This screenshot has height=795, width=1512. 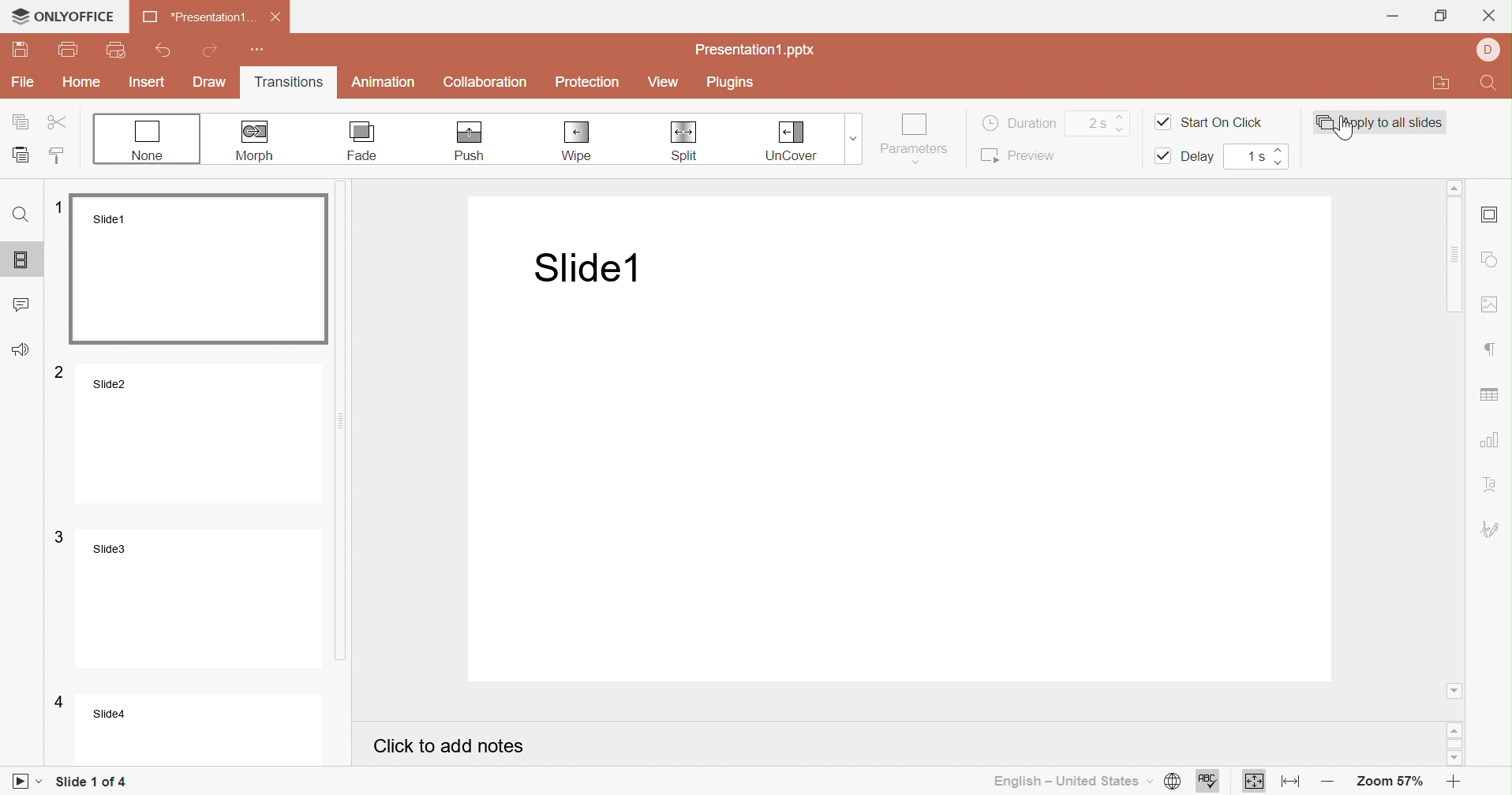 What do you see at coordinates (22, 220) in the screenshot?
I see `Find` at bounding box center [22, 220].